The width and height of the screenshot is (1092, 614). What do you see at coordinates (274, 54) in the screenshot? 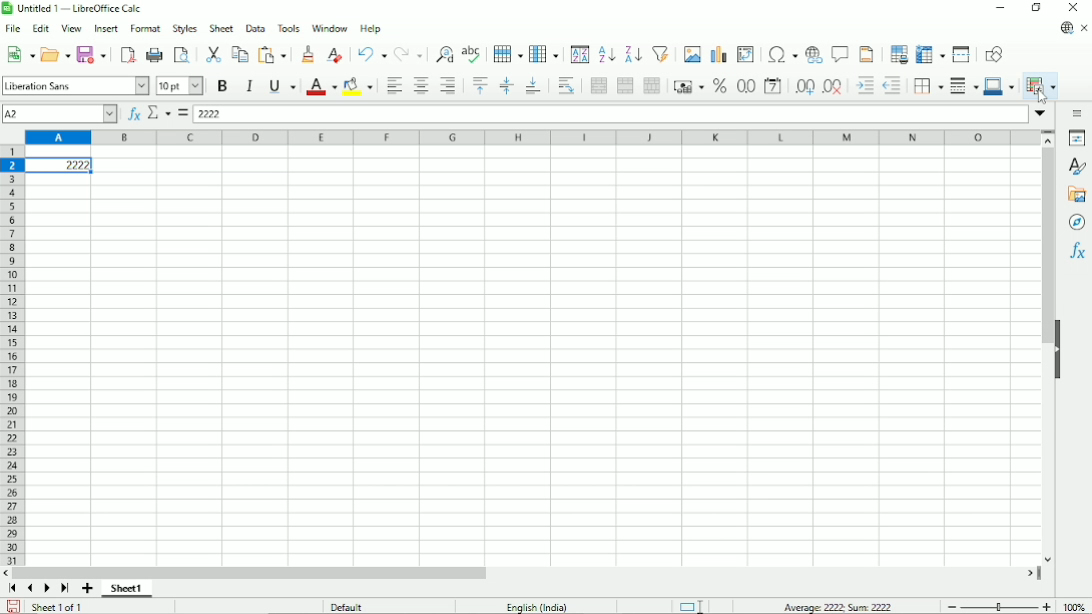
I see `Paste` at bounding box center [274, 54].